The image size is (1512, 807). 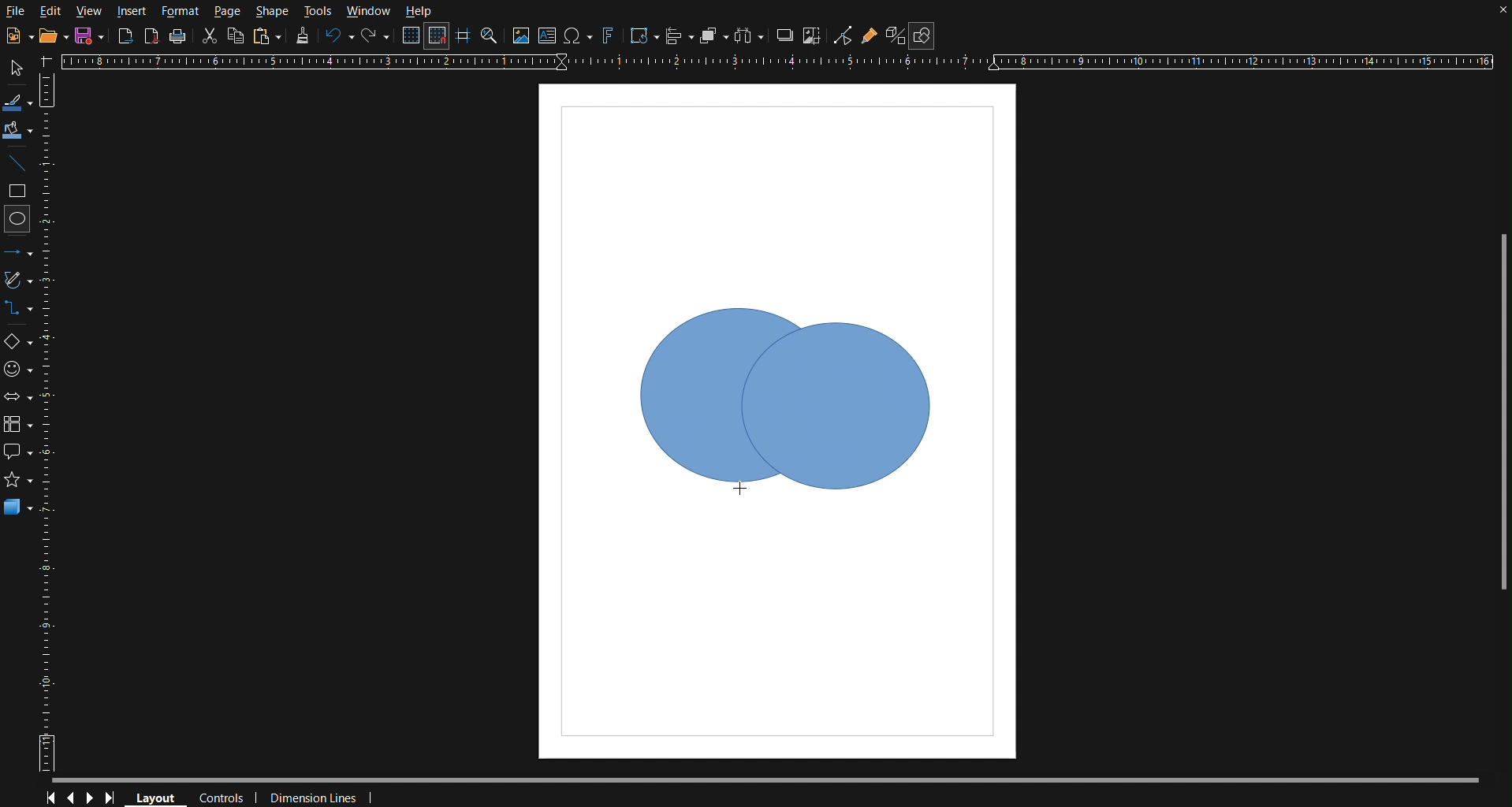 I want to click on Guidelines while moving, so click(x=464, y=39).